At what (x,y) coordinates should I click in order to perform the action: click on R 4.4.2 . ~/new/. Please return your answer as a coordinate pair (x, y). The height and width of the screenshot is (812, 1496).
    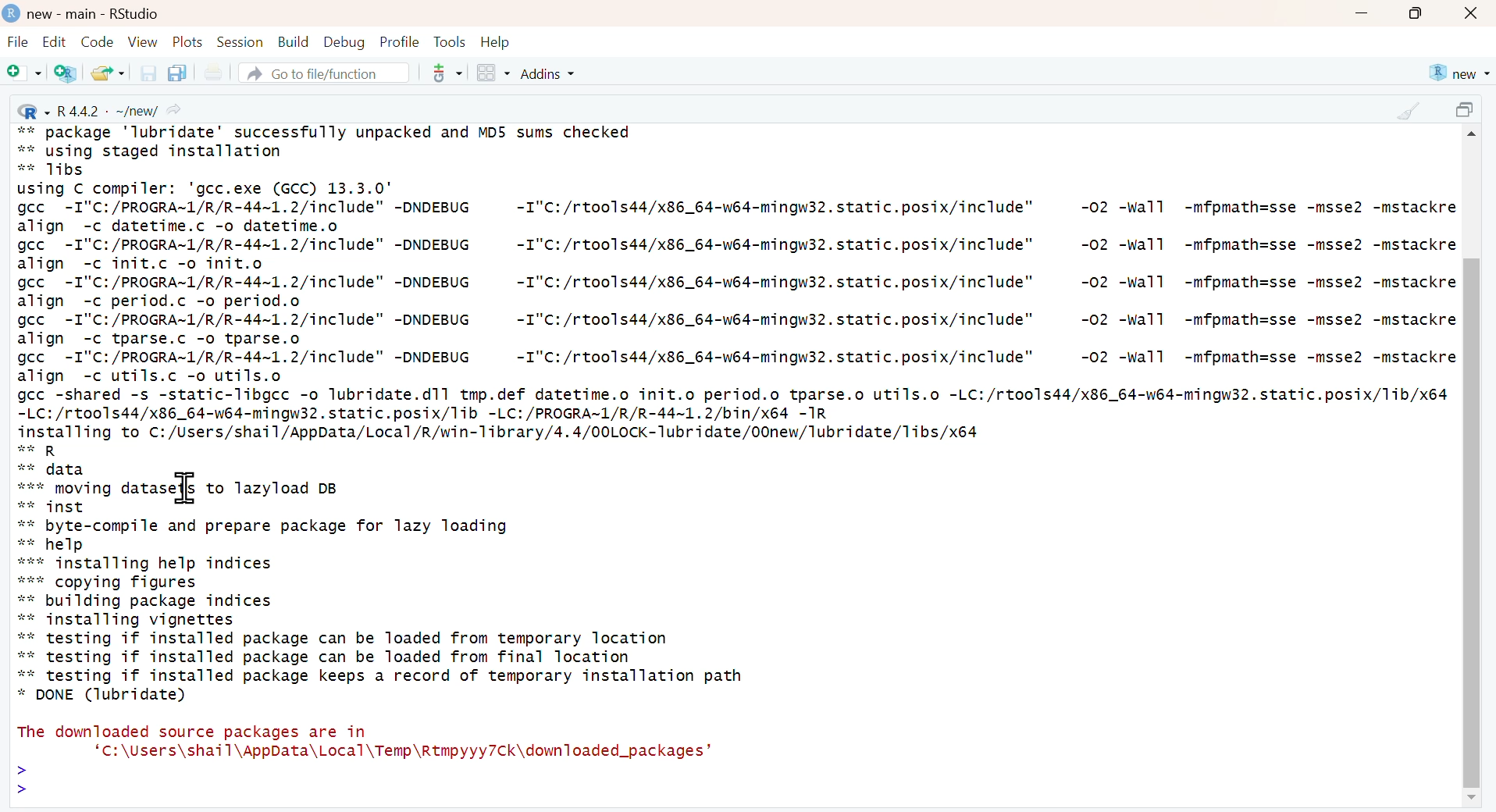
    Looking at the image, I should click on (102, 109).